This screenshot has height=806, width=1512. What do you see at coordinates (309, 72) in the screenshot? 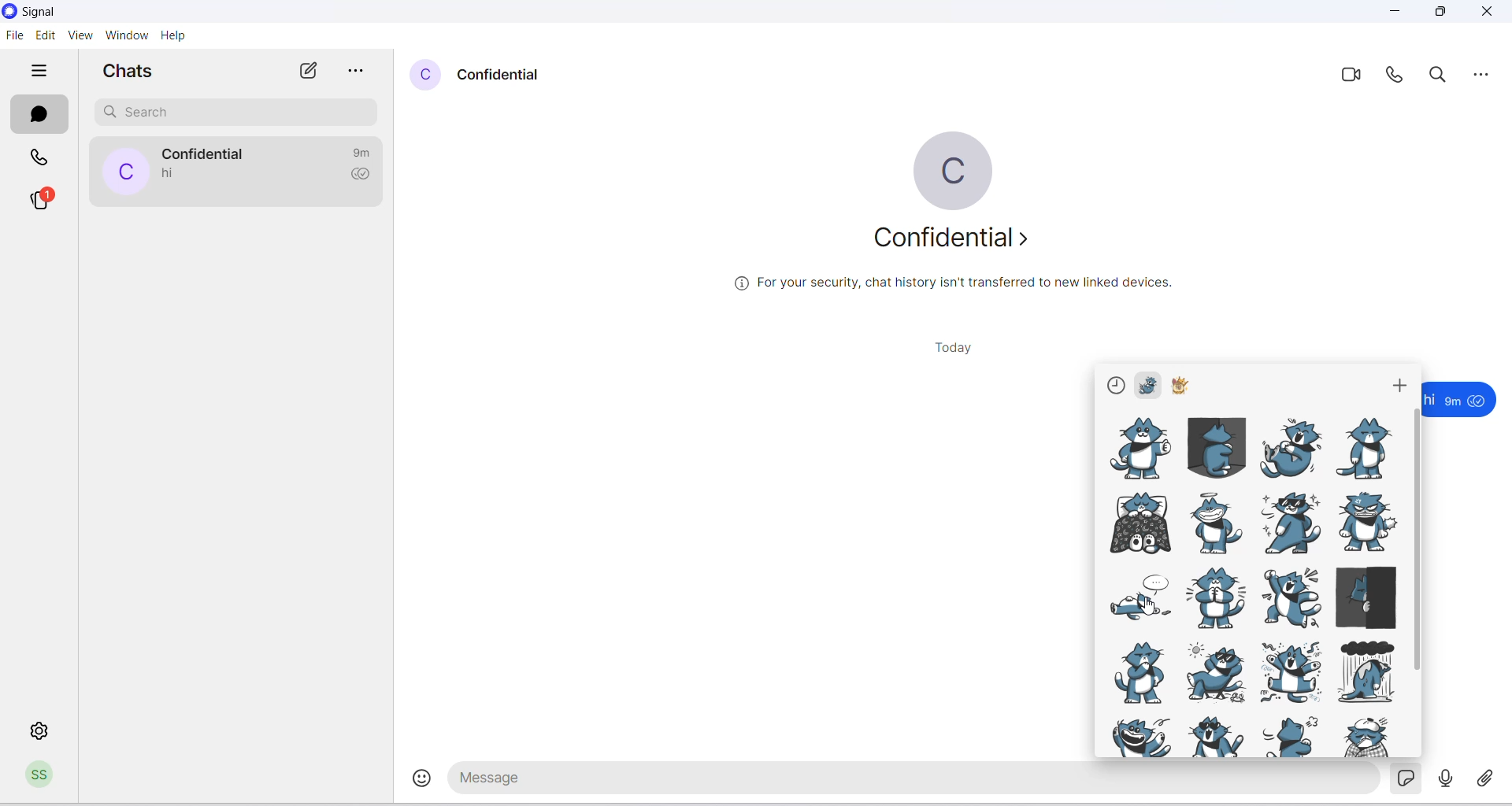
I see `new chat` at bounding box center [309, 72].